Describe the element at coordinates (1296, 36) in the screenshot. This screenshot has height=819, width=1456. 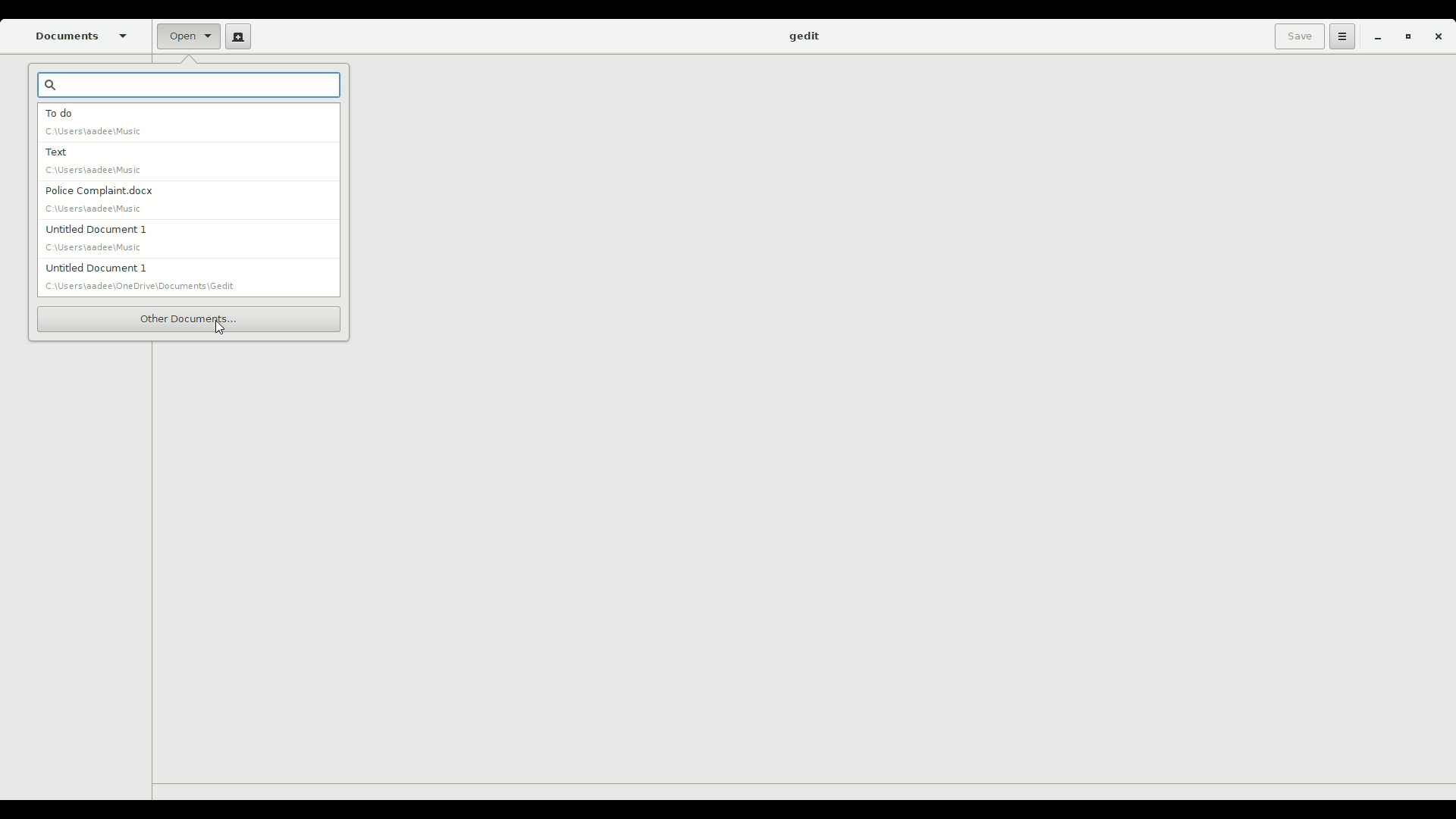
I see `Save` at that location.